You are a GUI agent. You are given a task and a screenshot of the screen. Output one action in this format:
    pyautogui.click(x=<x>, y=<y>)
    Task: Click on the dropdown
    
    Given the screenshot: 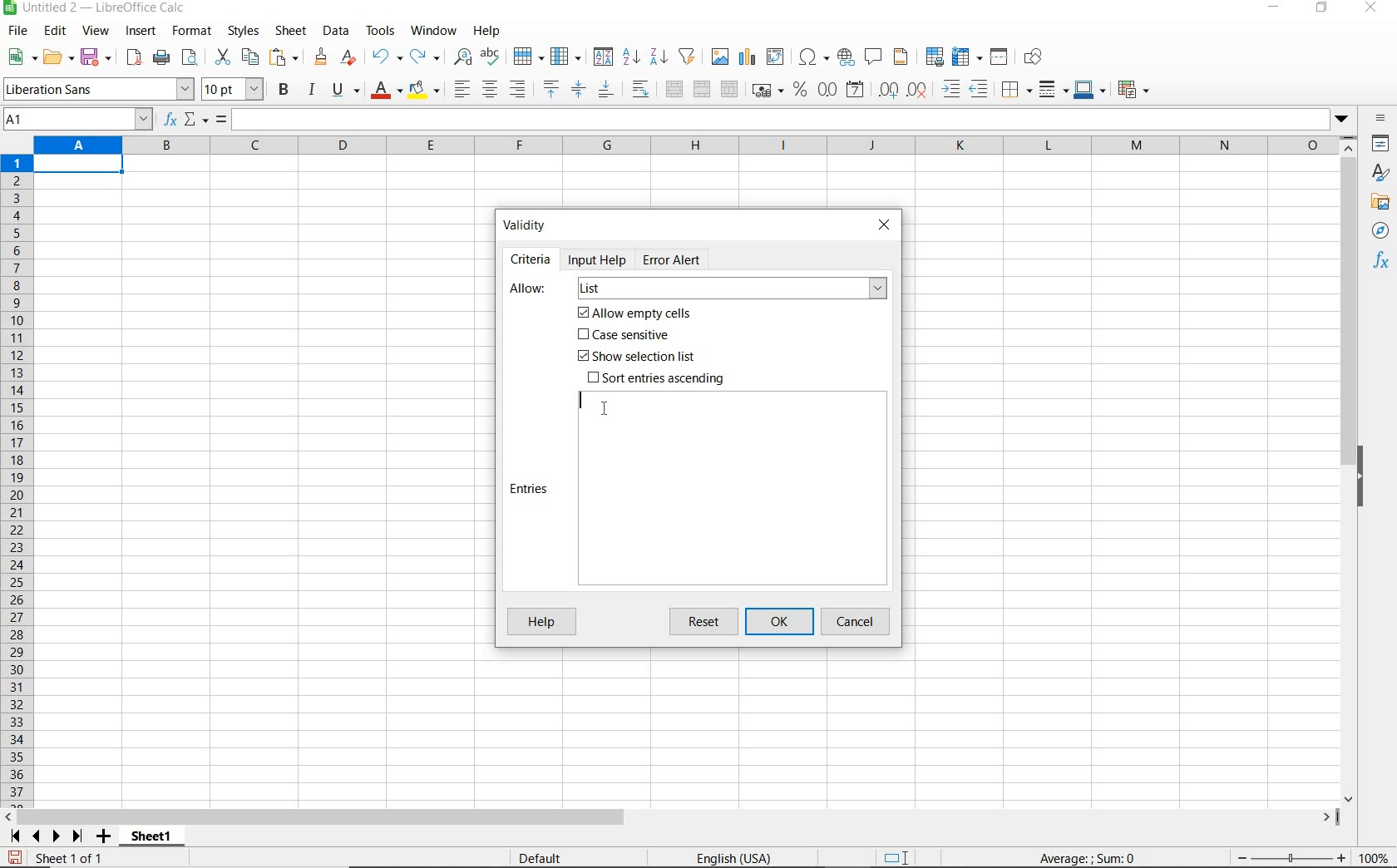 What is the action you would take?
    pyautogui.click(x=1343, y=121)
    